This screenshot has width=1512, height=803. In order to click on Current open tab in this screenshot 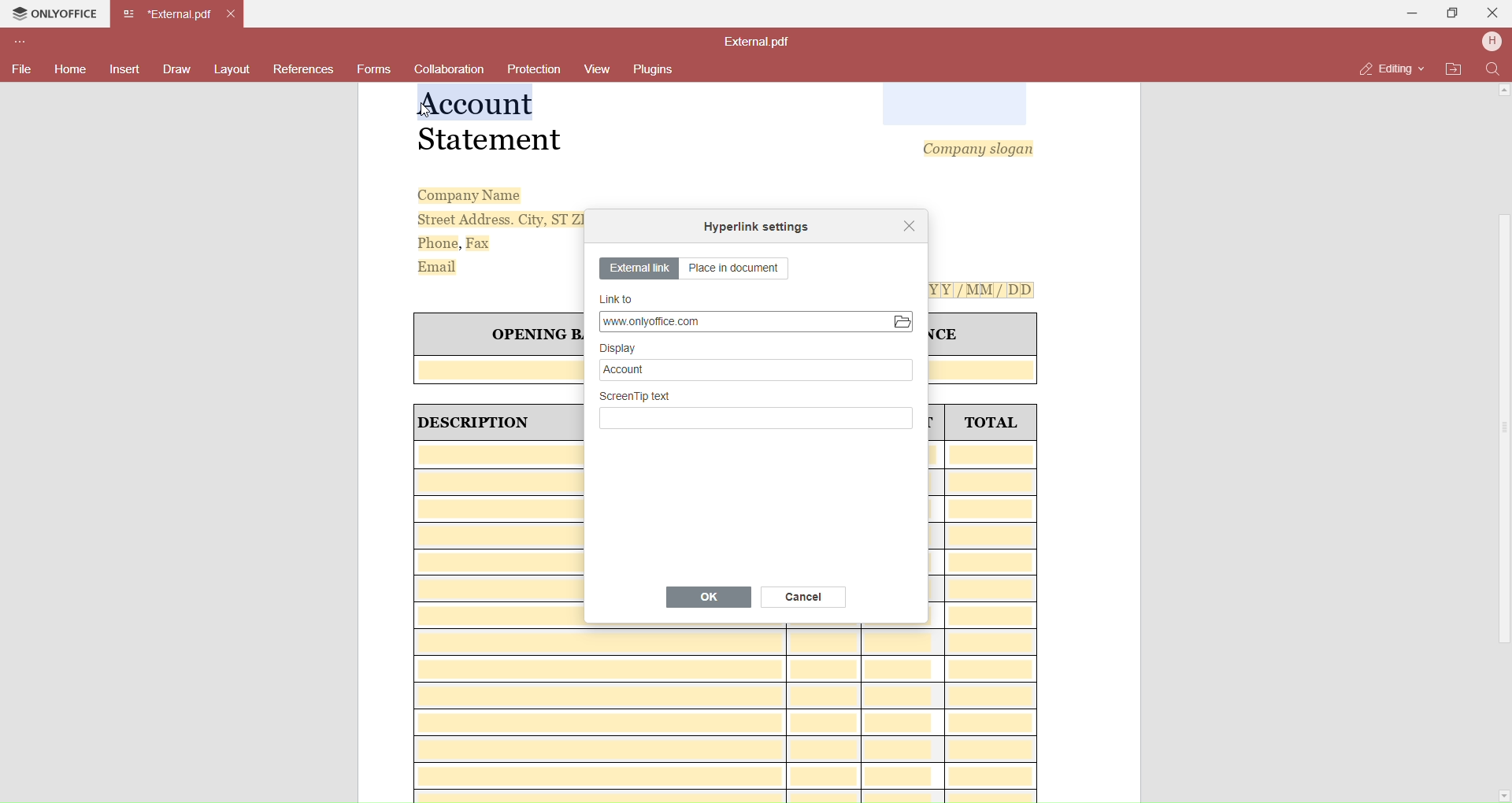, I will do `click(169, 14)`.